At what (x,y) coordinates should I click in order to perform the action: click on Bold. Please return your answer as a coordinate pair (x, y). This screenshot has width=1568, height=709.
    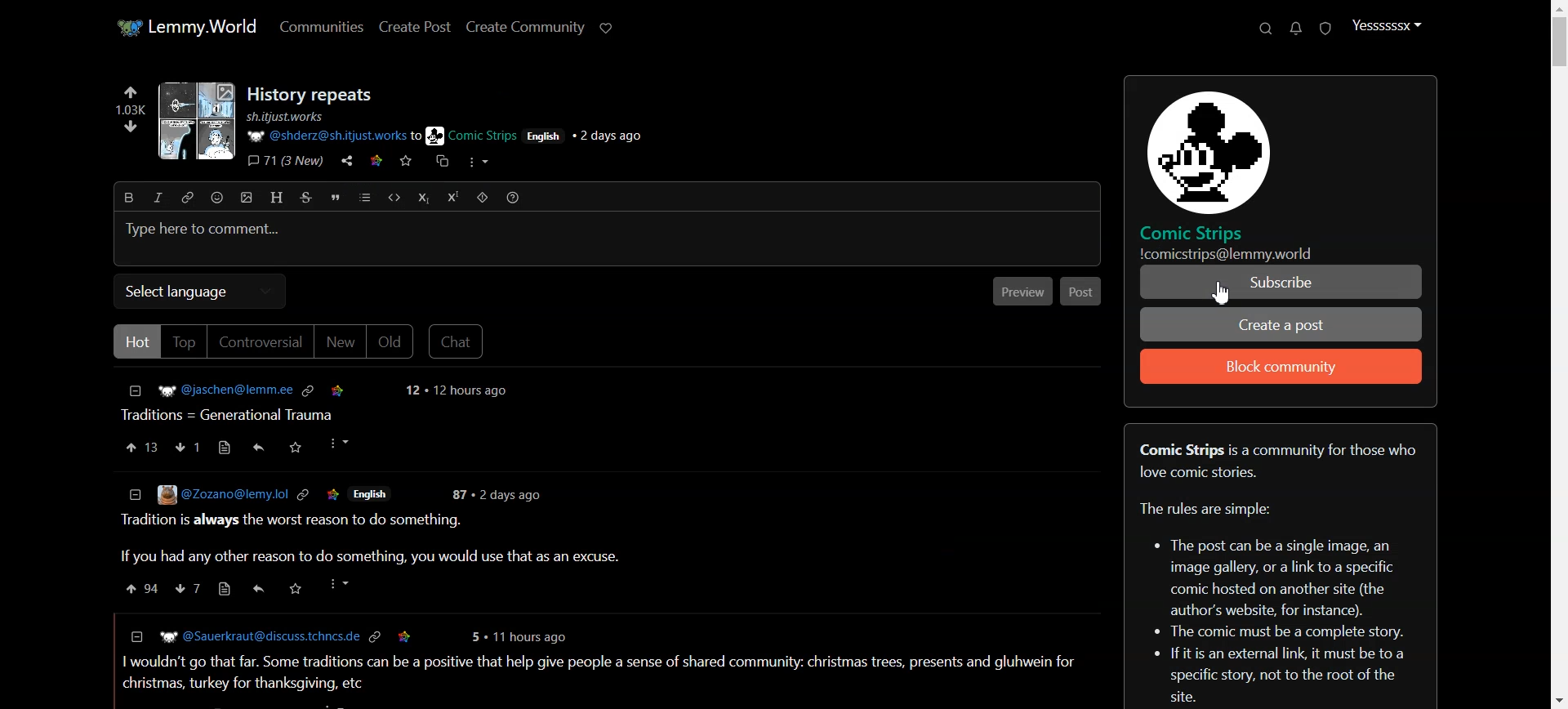
    Looking at the image, I should click on (129, 197).